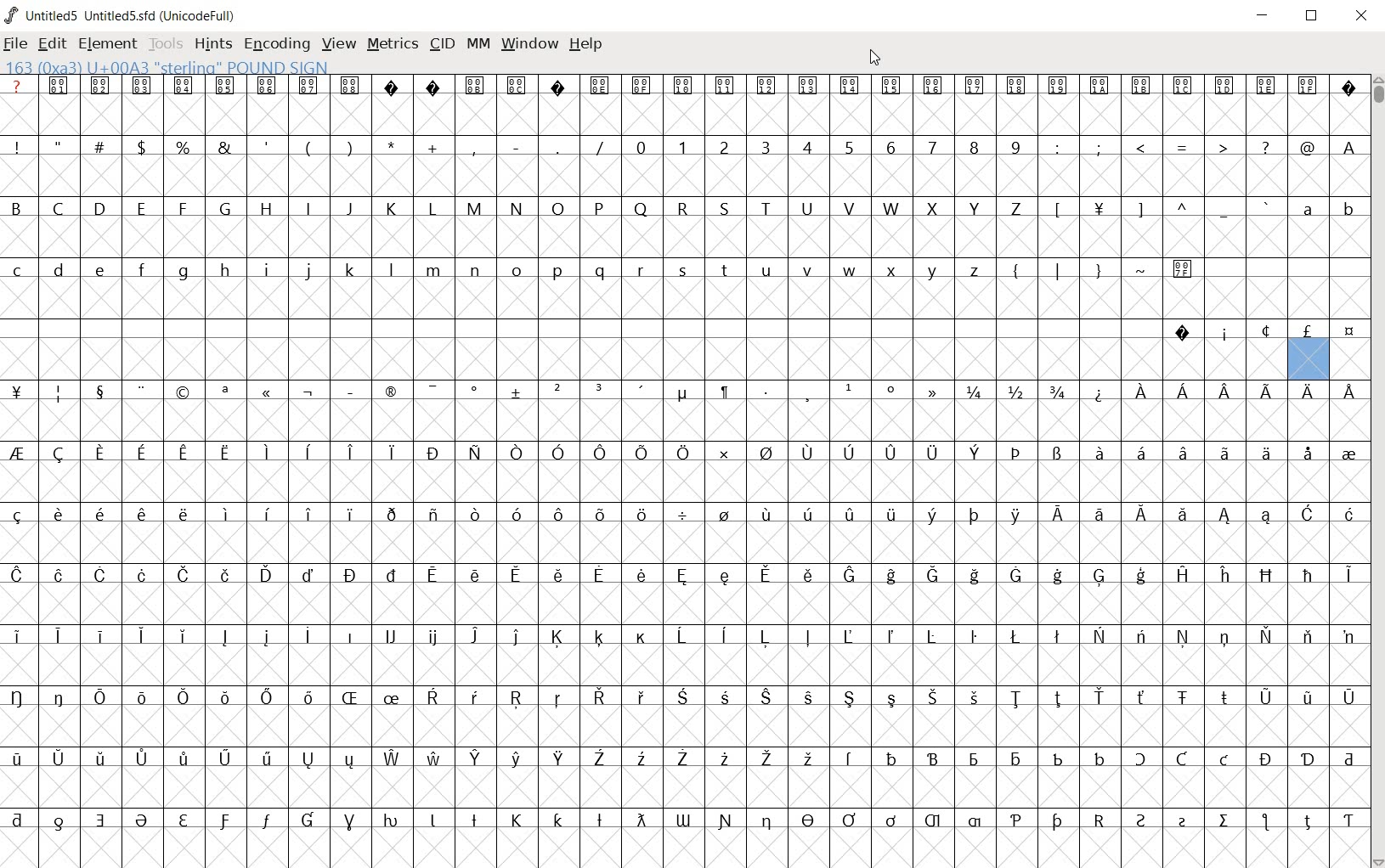 The height and width of the screenshot is (868, 1385). I want to click on element, so click(109, 44).